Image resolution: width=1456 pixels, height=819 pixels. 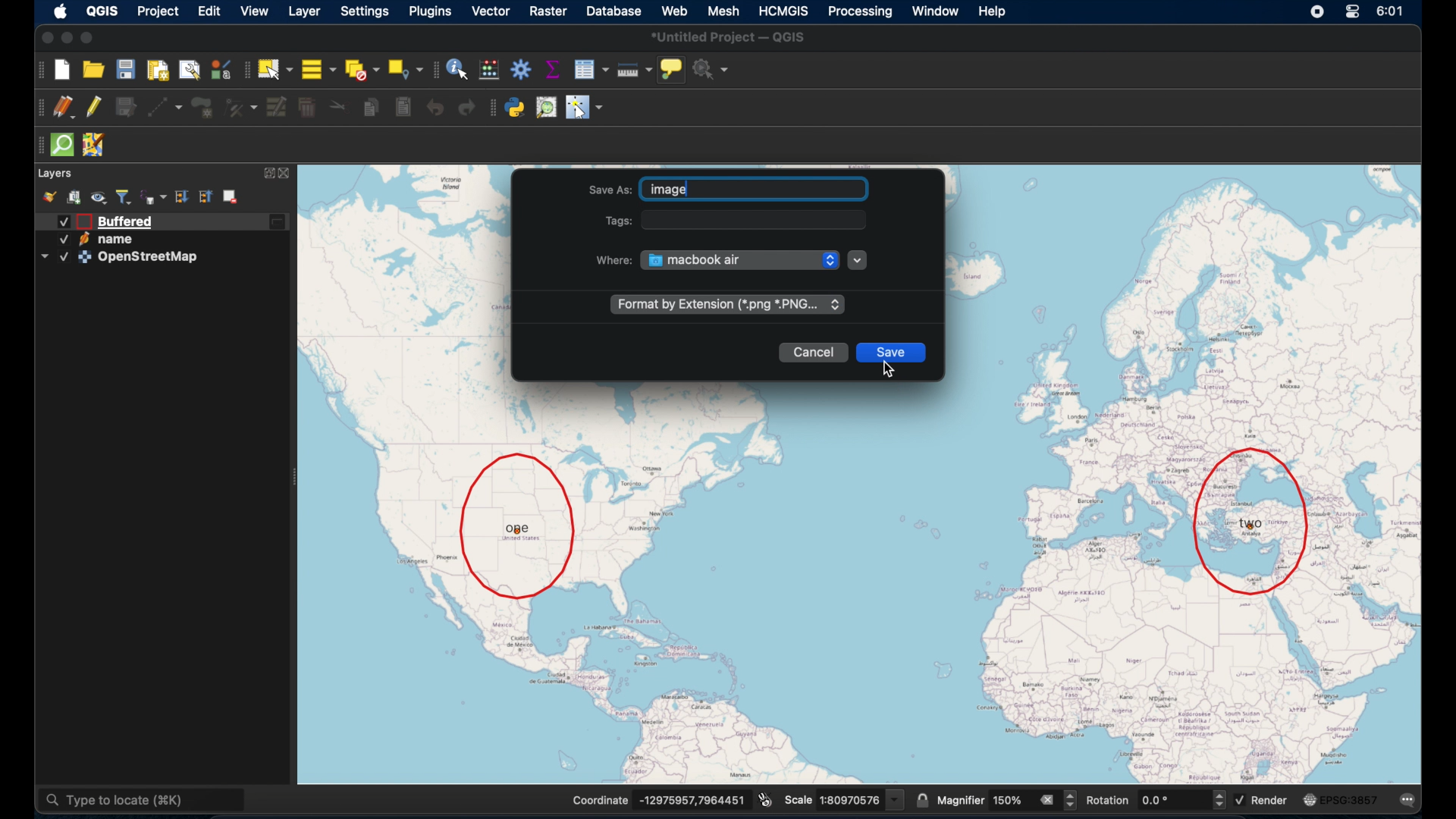 I want to click on open field calculator, so click(x=491, y=69).